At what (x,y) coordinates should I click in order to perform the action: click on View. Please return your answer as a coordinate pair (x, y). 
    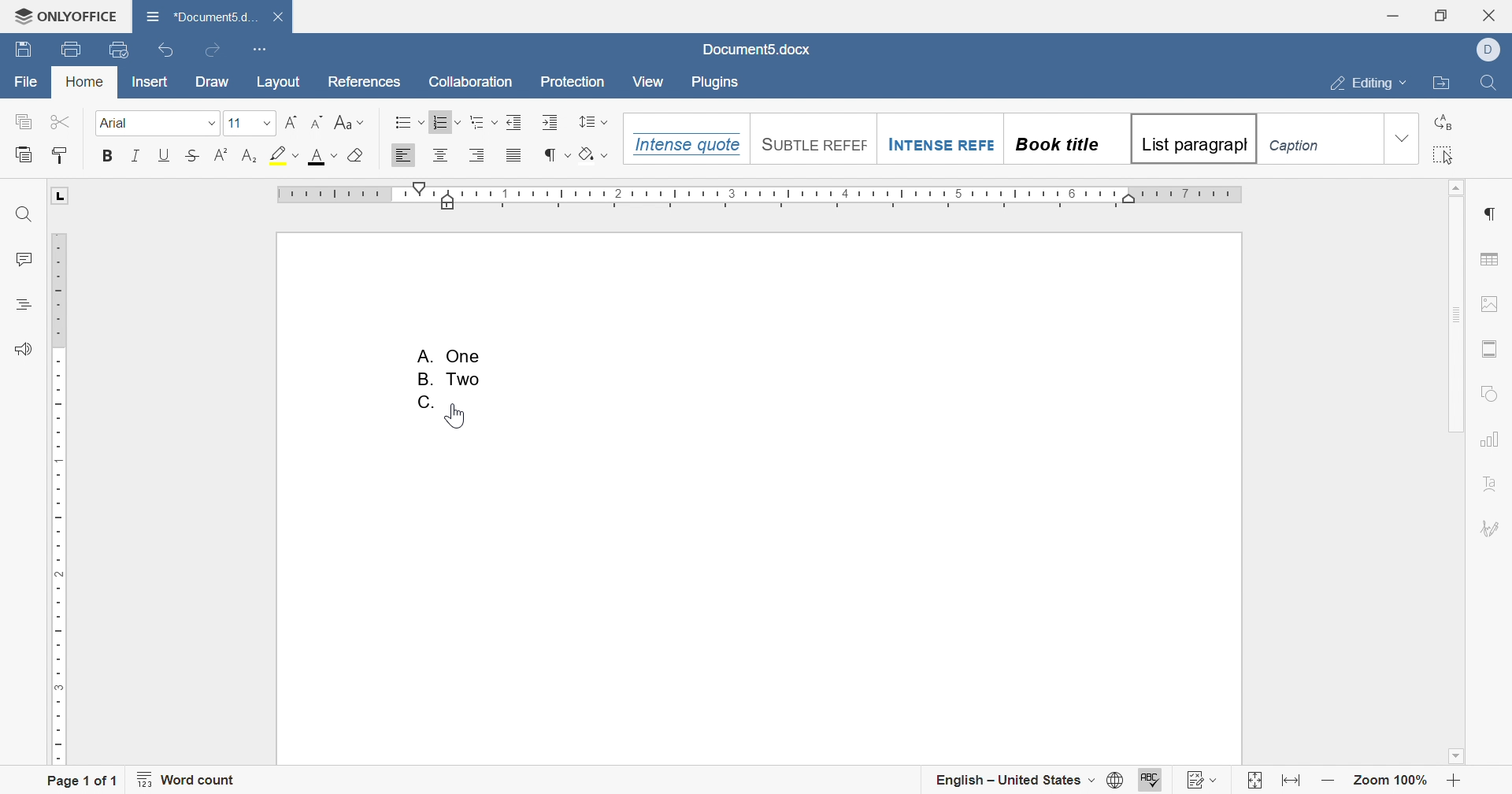
    Looking at the image, I should click on (650, 82).